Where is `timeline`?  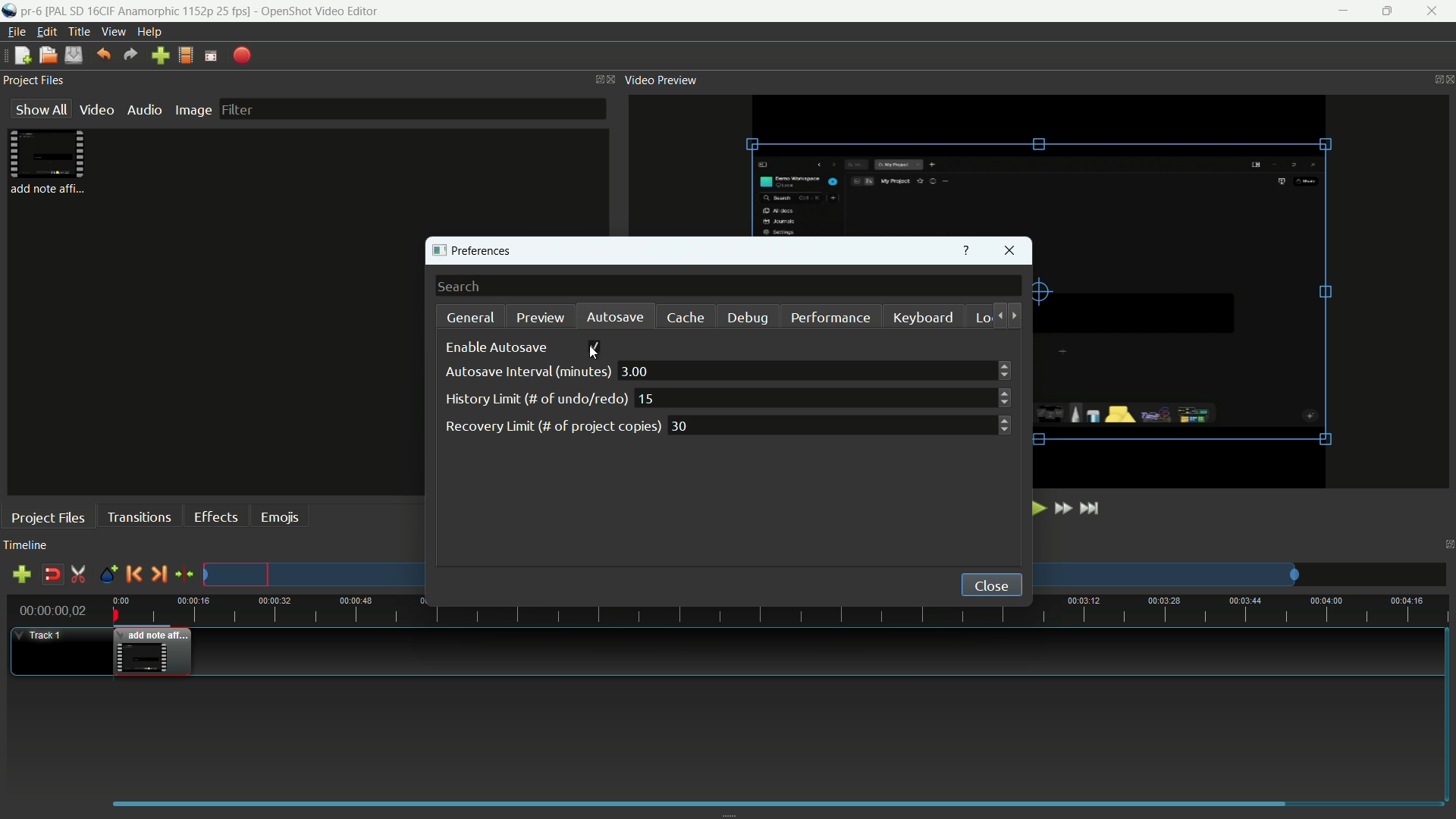
timeline is located at coordinates (26, 544).